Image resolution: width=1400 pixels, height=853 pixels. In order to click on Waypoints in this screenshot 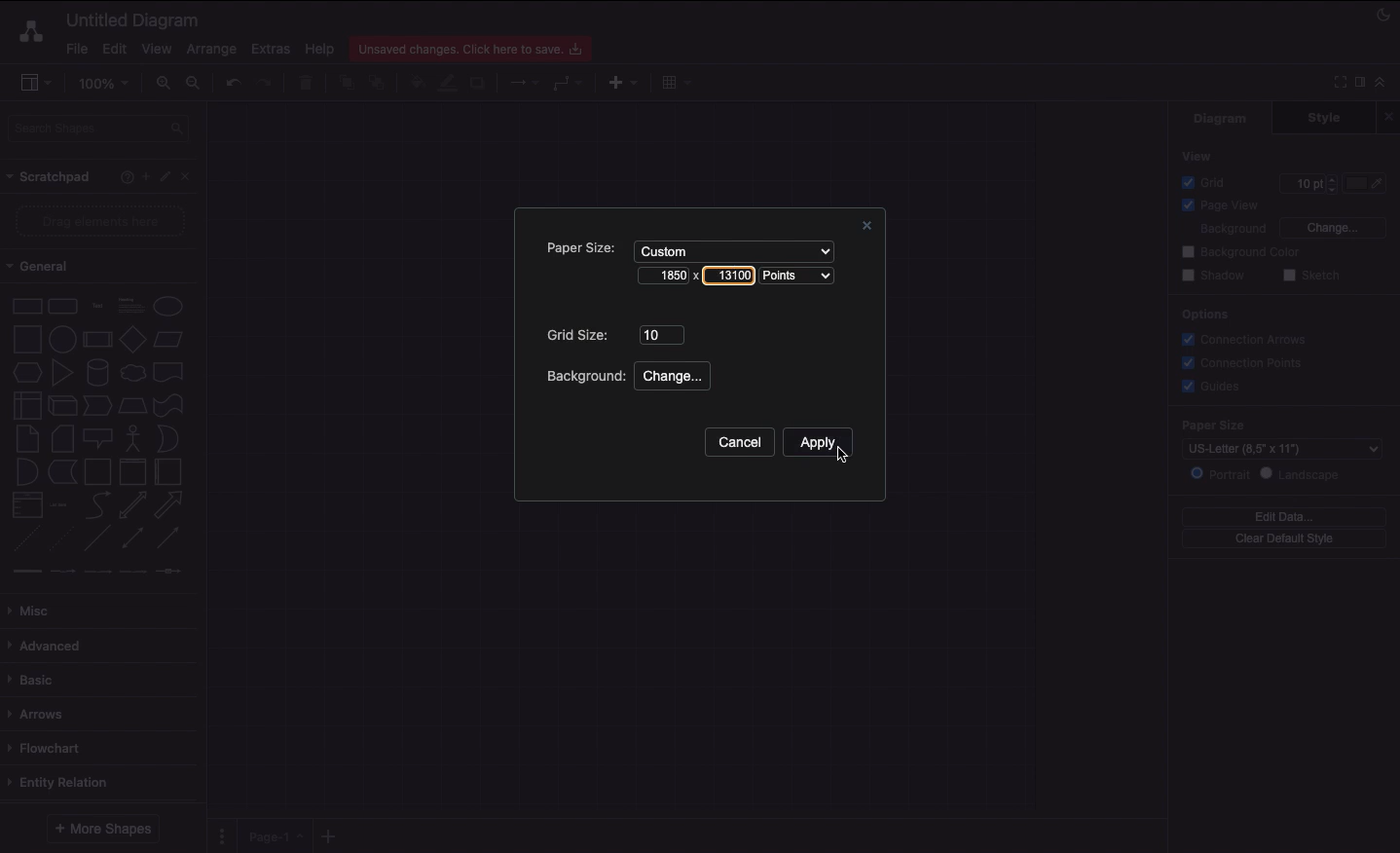, I will do `click(569, 85)`.